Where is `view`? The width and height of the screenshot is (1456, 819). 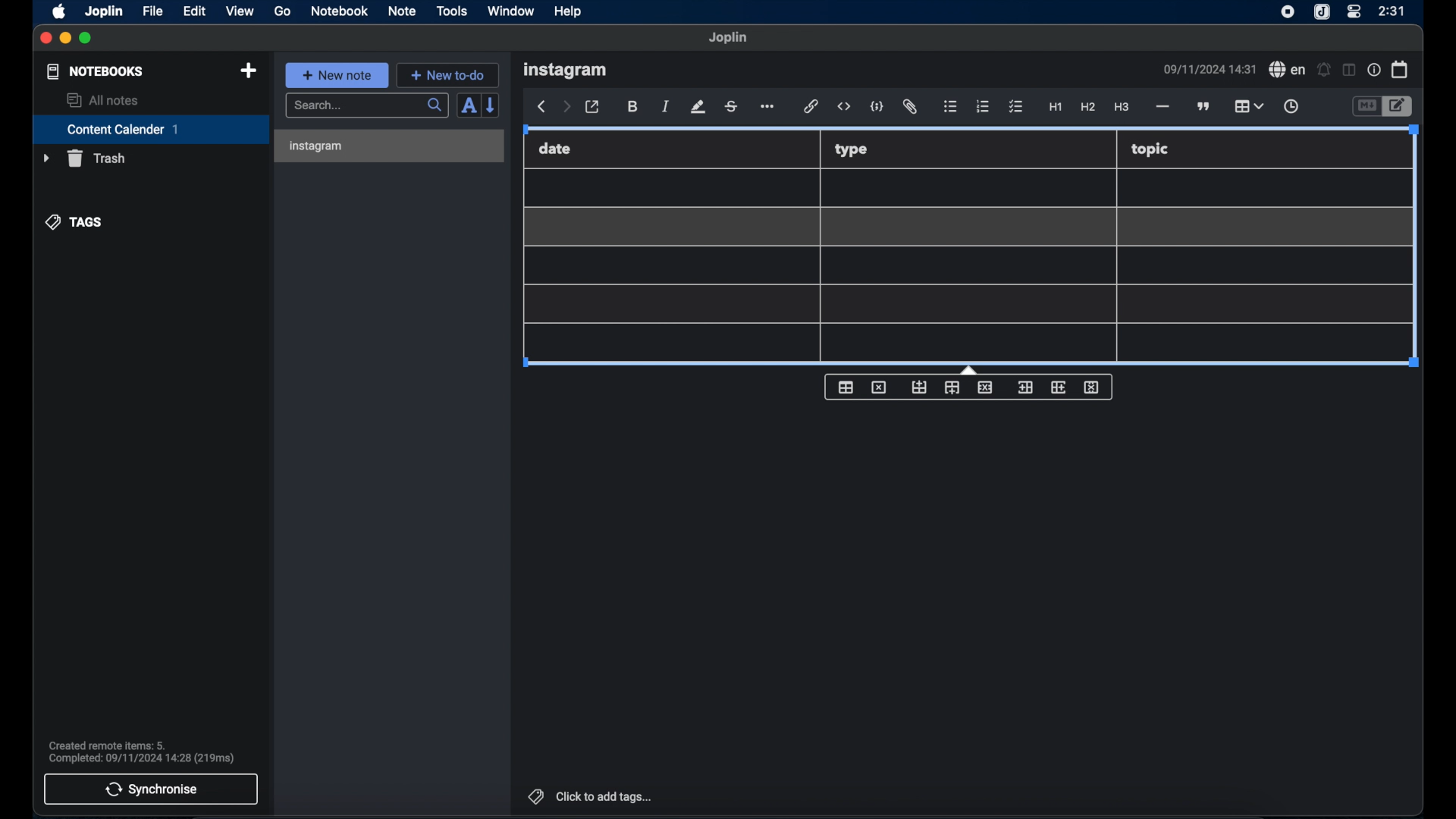
view is located at coordinates (240, 11).